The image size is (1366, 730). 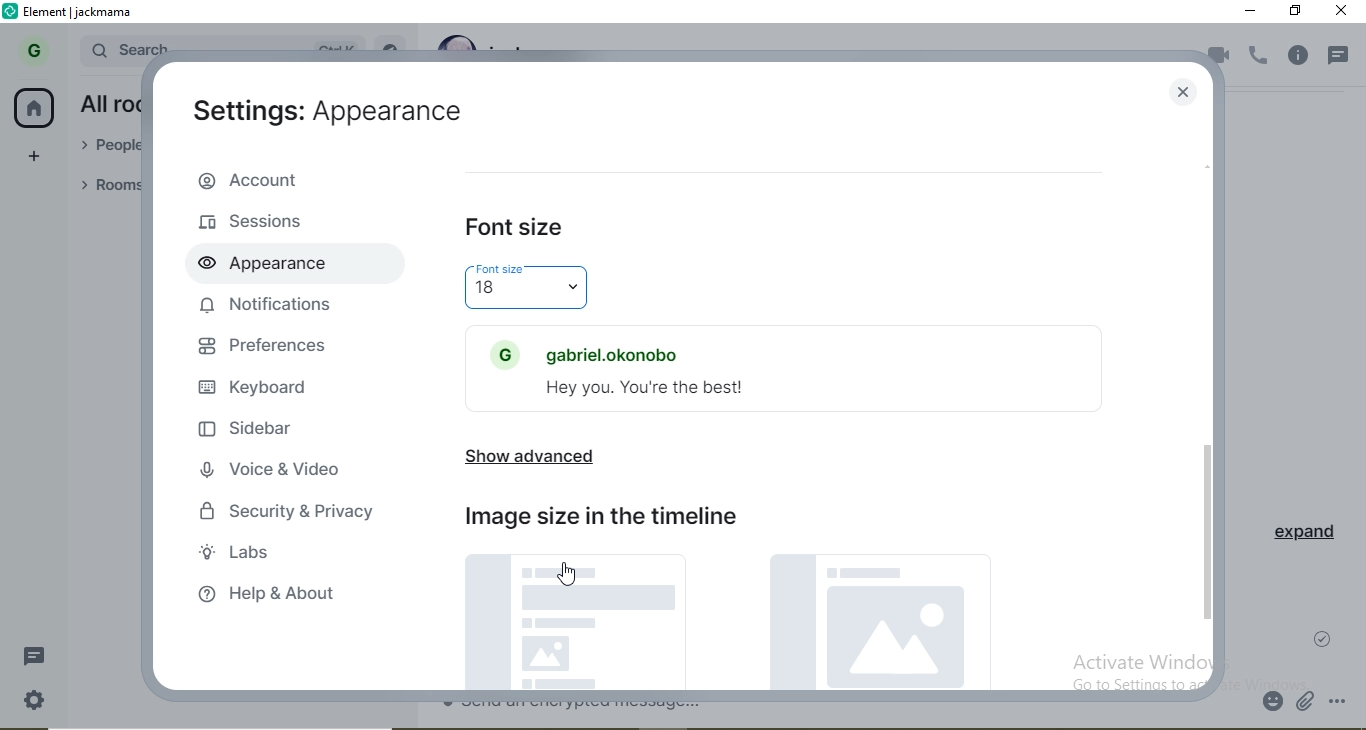 I want to click on font size, so click(x=512, y=228).